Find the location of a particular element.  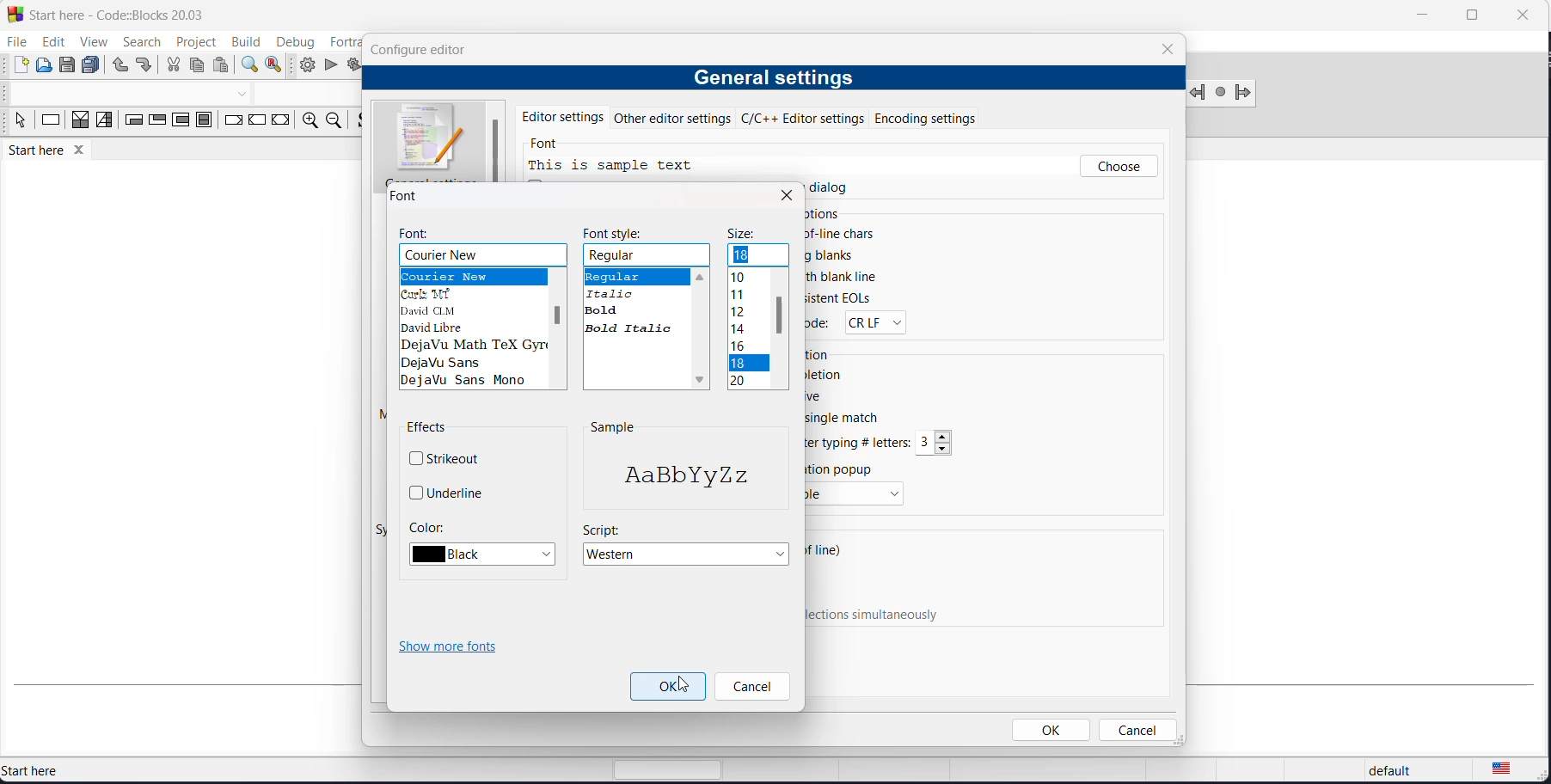

decision is located at coordinates (81, 124).